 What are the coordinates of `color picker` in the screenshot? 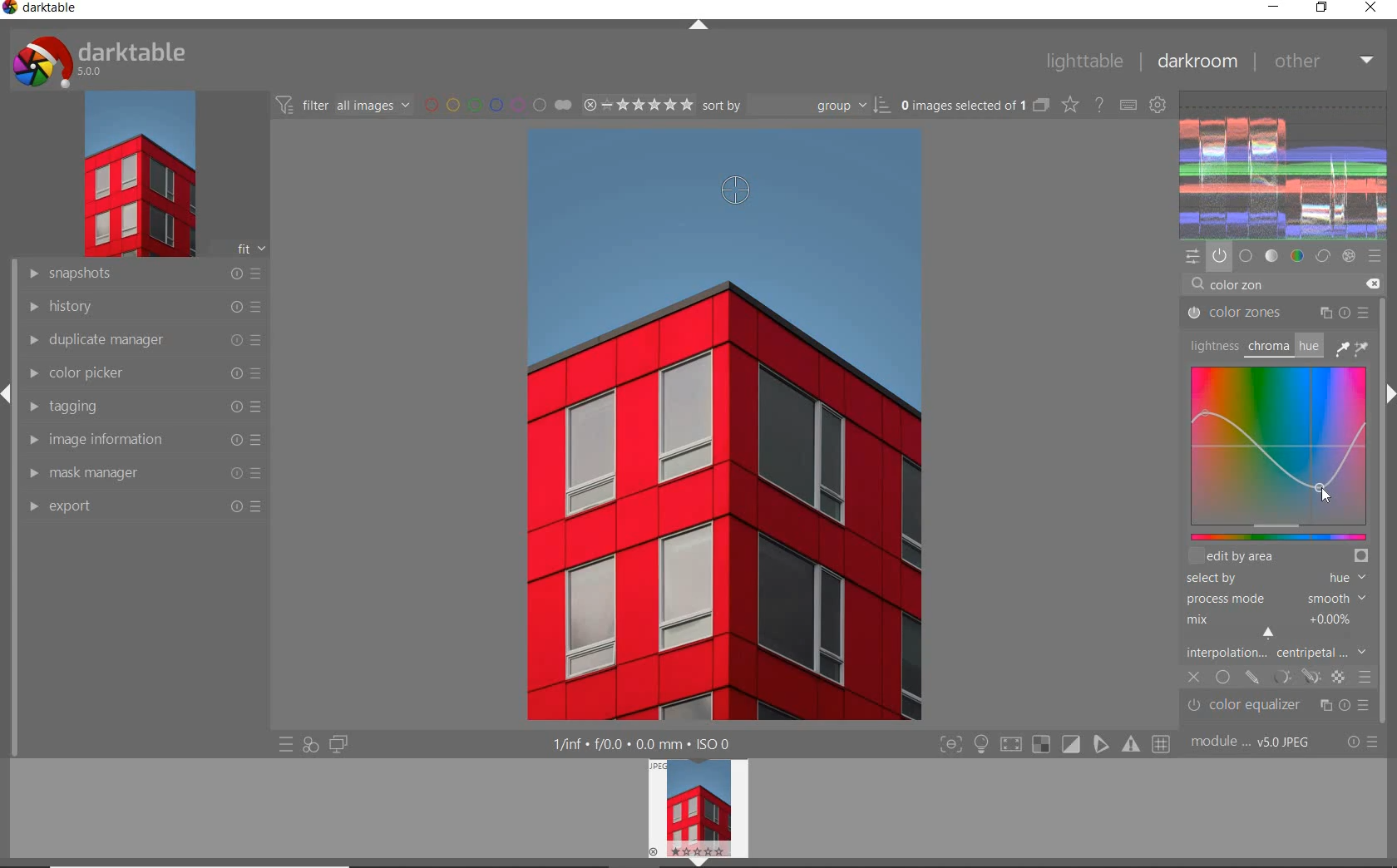 It's located at (142, 376).